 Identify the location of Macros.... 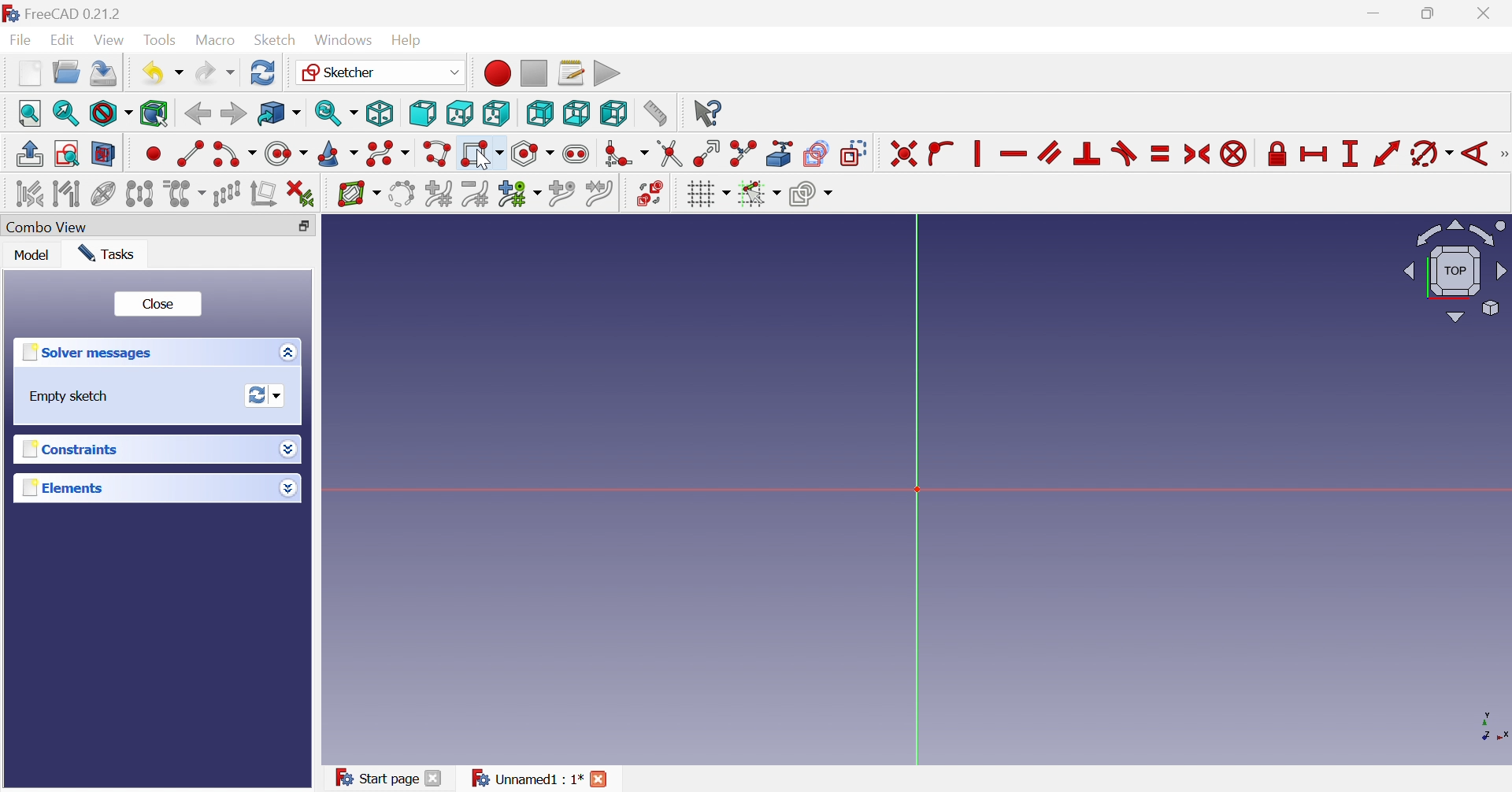
(571, 72).